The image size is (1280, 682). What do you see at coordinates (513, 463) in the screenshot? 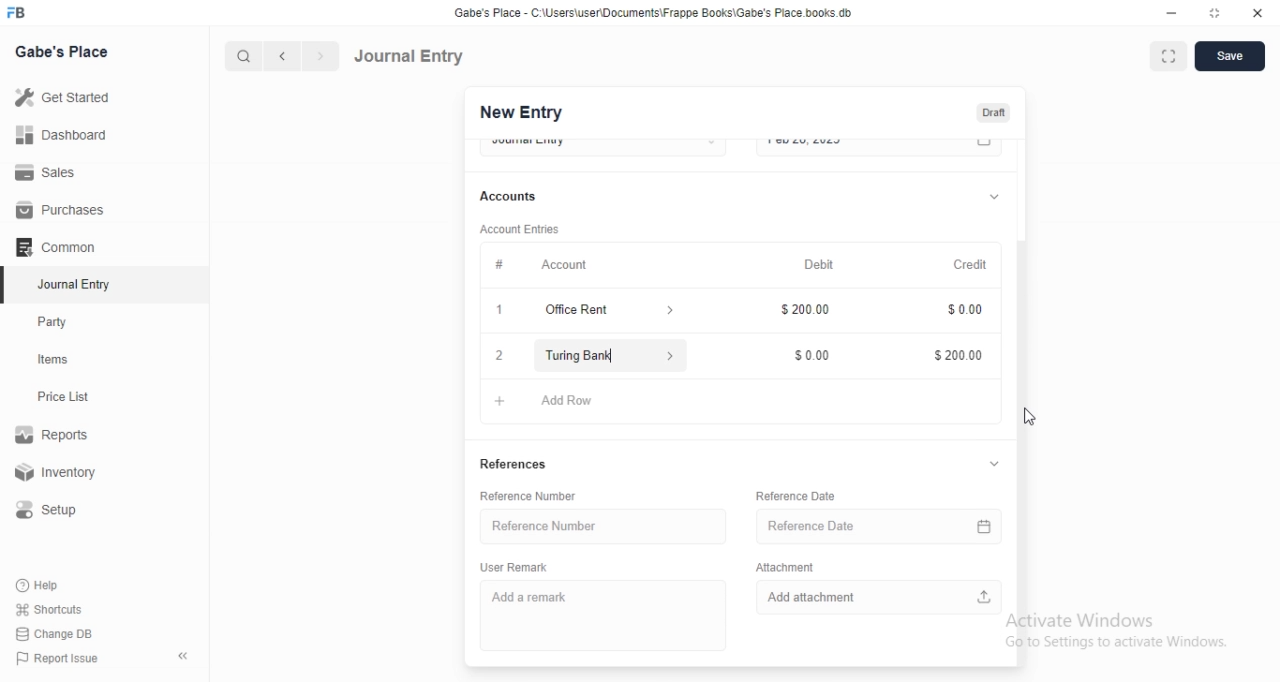
I see `References` at bounding box center [513, 463].